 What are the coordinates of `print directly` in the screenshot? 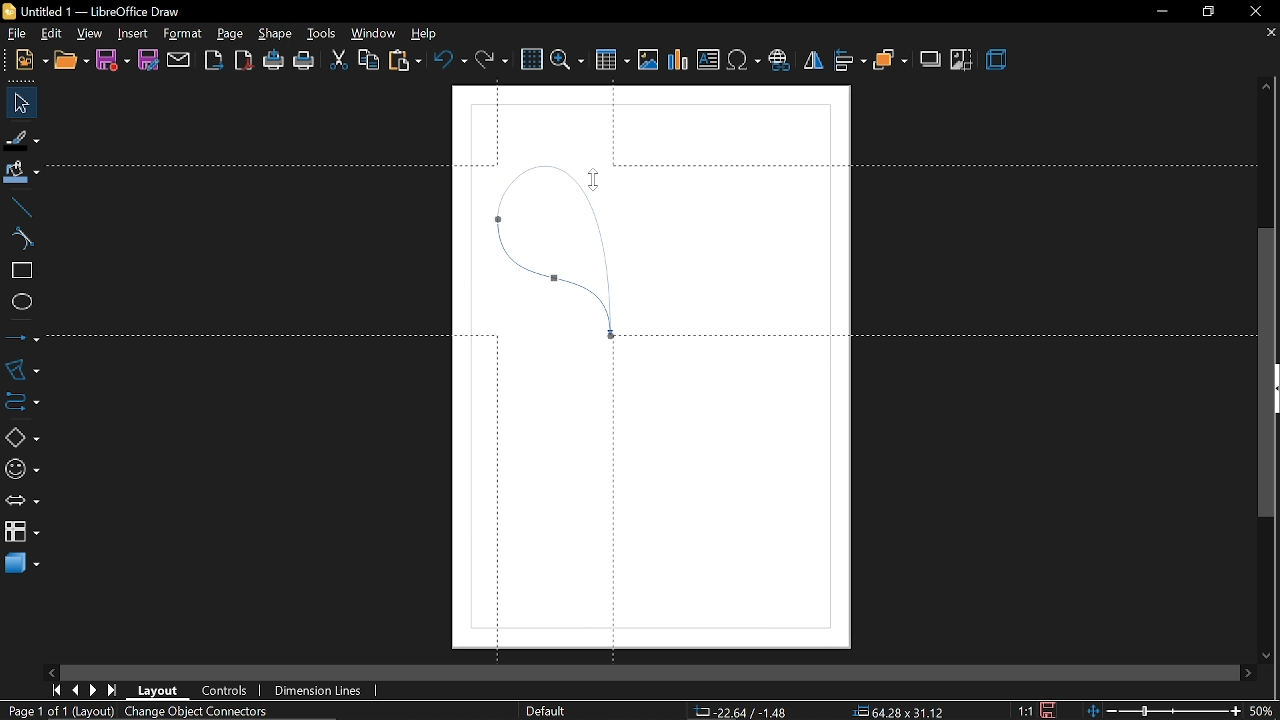 It's located at (274, 62).